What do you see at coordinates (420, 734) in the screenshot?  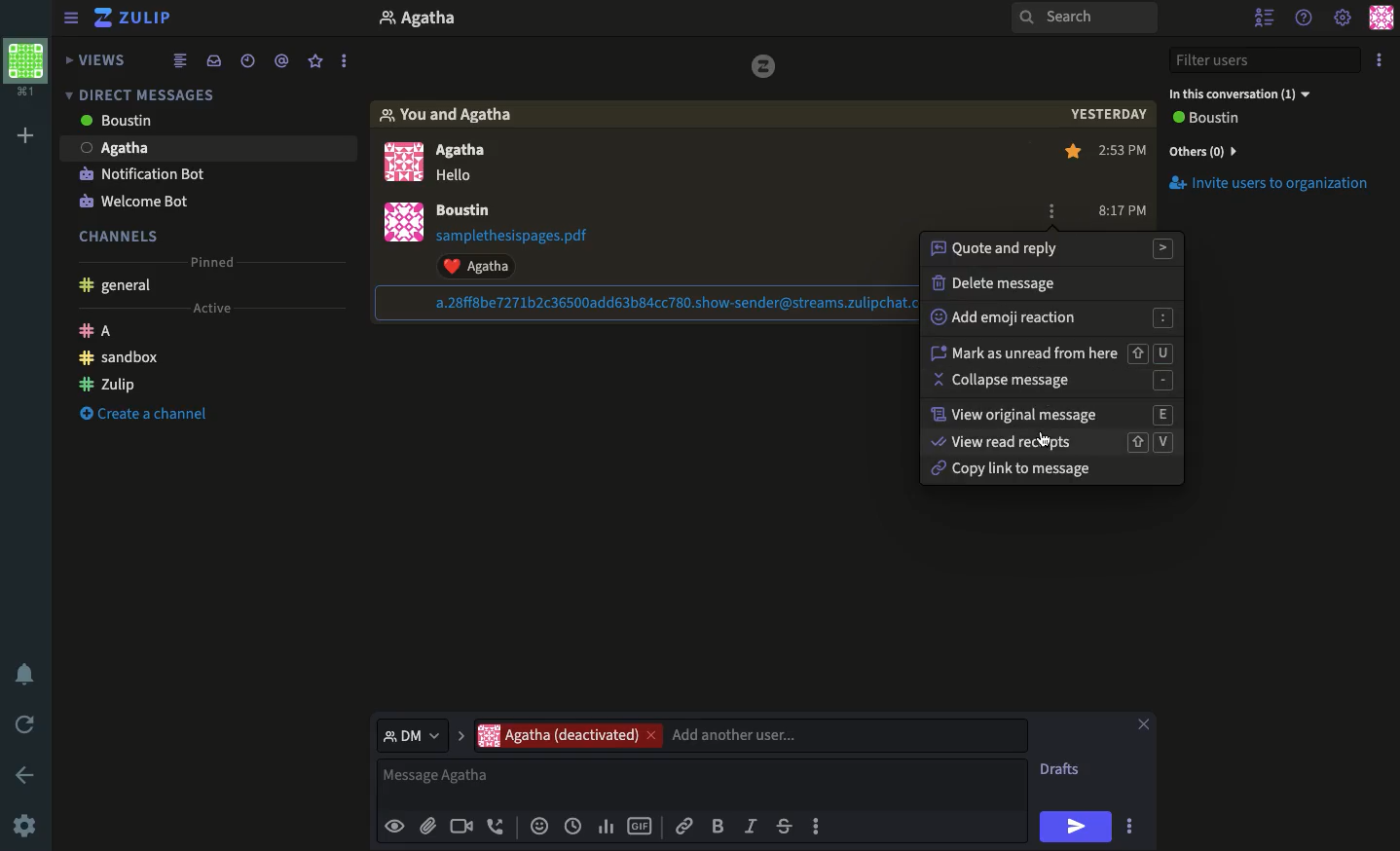 I see `DM` at bounding box center [420, 734].